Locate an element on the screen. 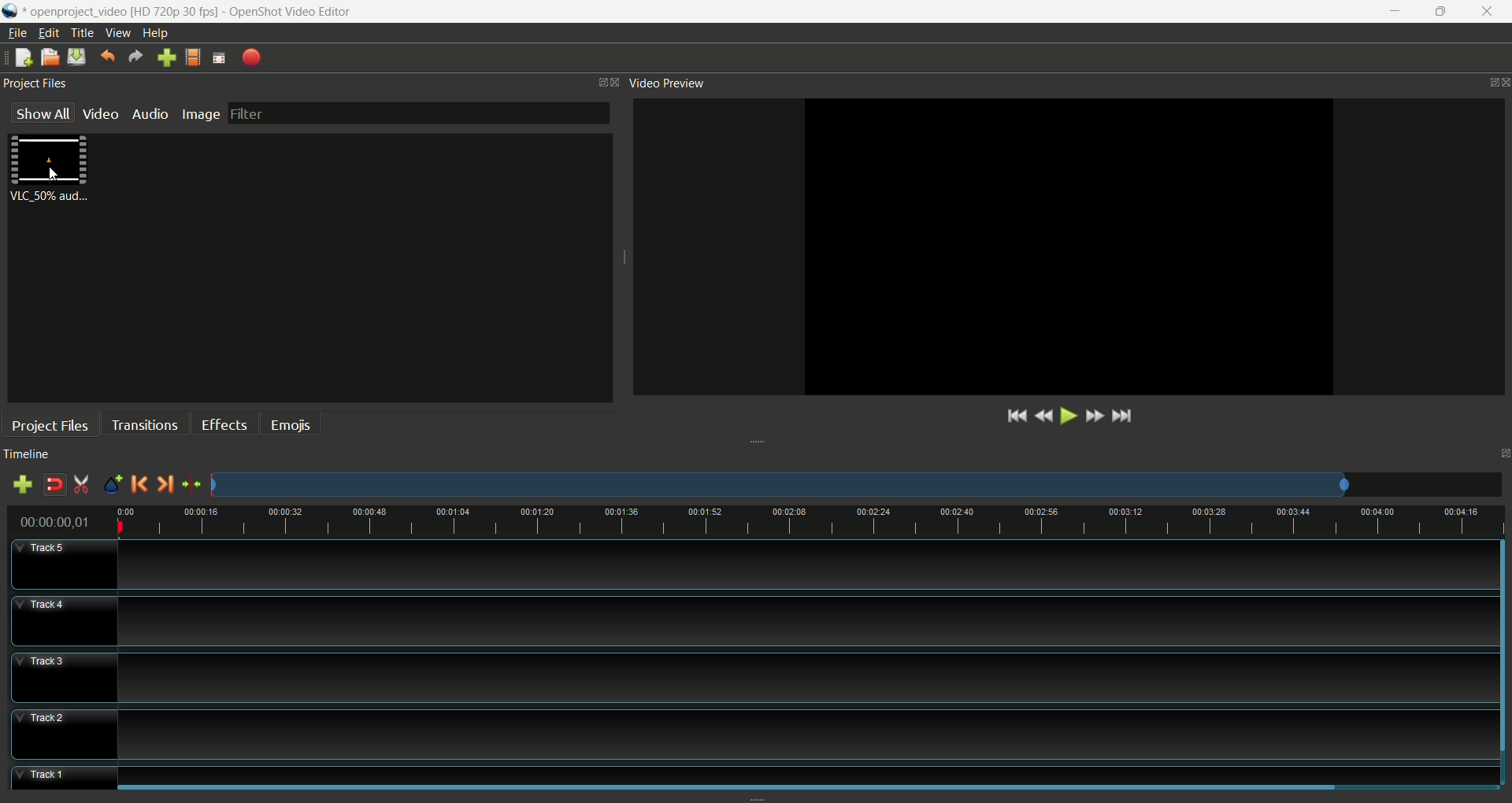  fast forward is located at coordinates (1095, 420).